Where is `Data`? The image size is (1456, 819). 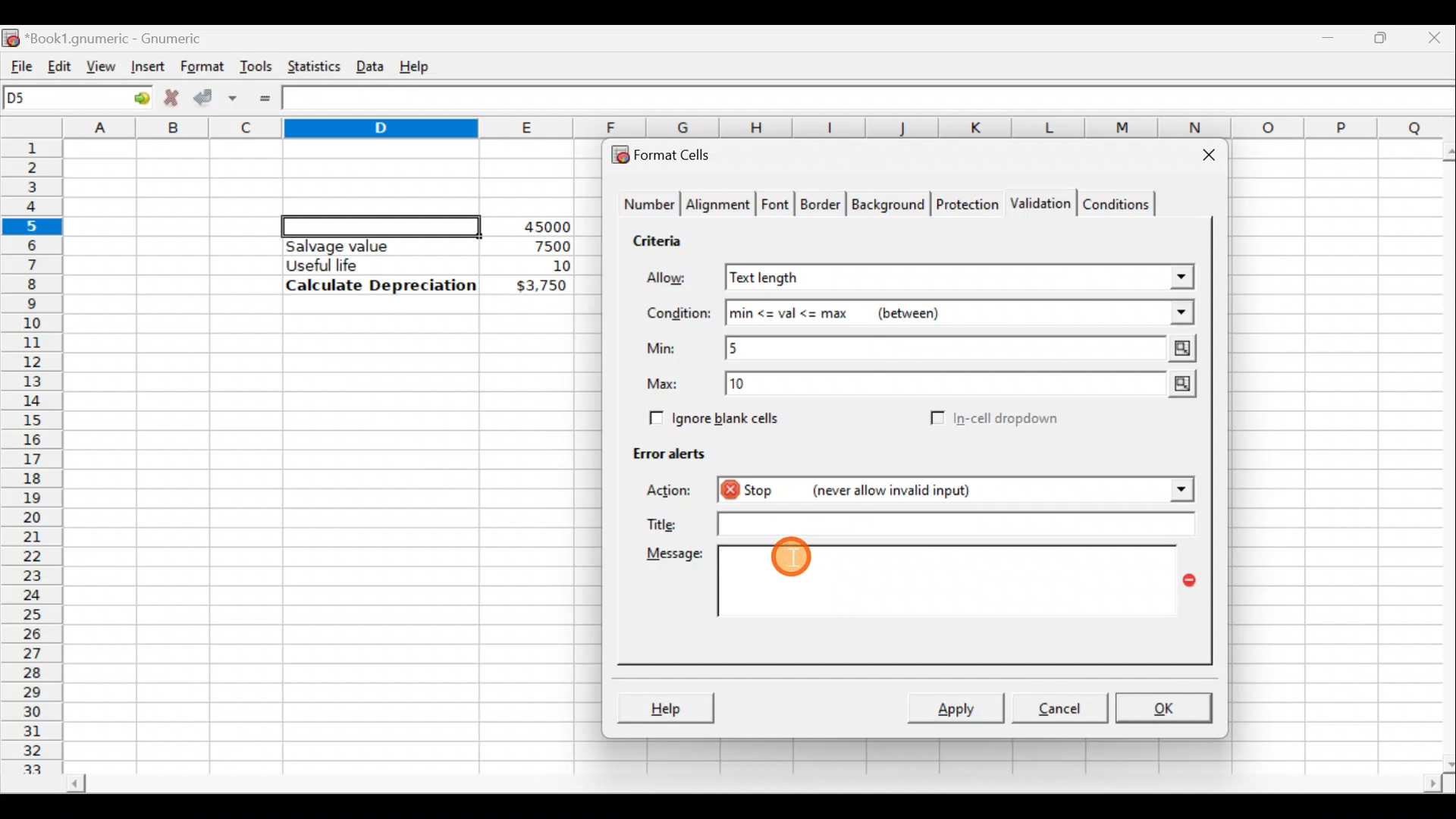 Data is located at coordinates (369, 63).